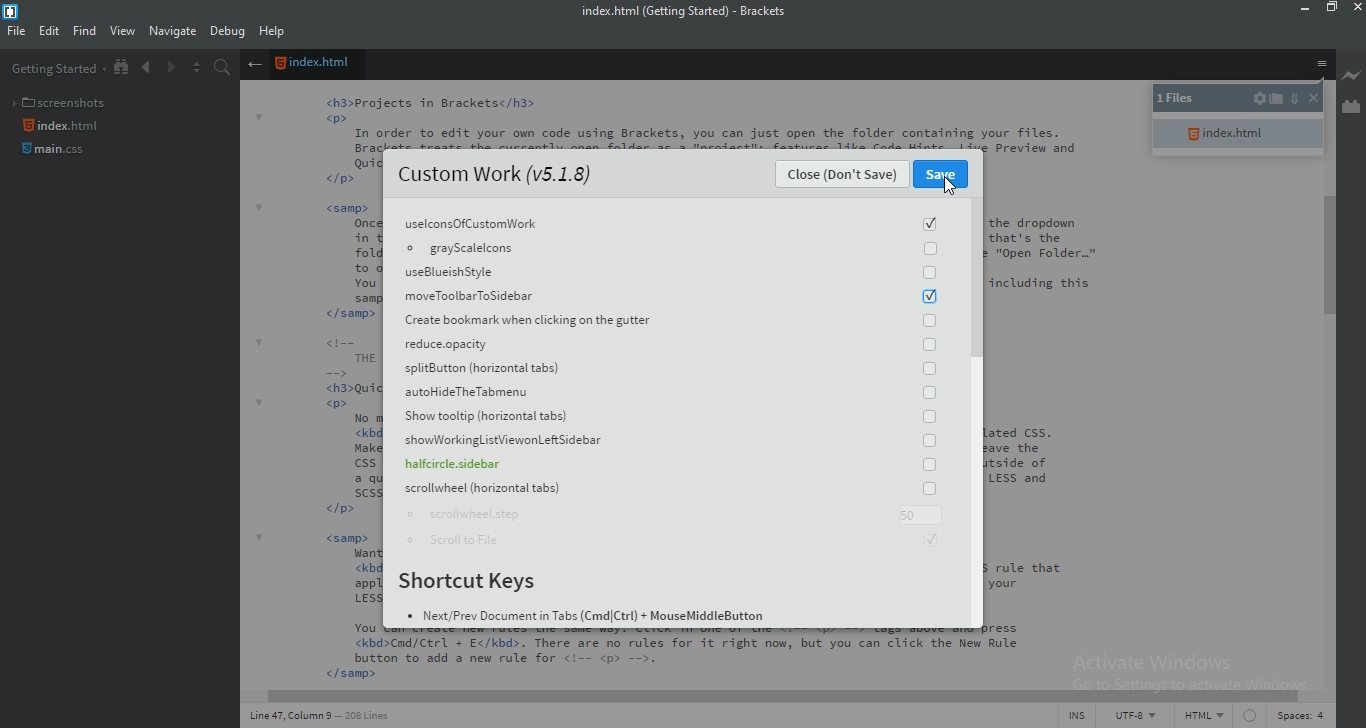 This screenshot has height=728, width=1366. What do you see at coordinates (974, 275) in the screenshot?
I see `scroll bar` at bounding box center [974, 275].